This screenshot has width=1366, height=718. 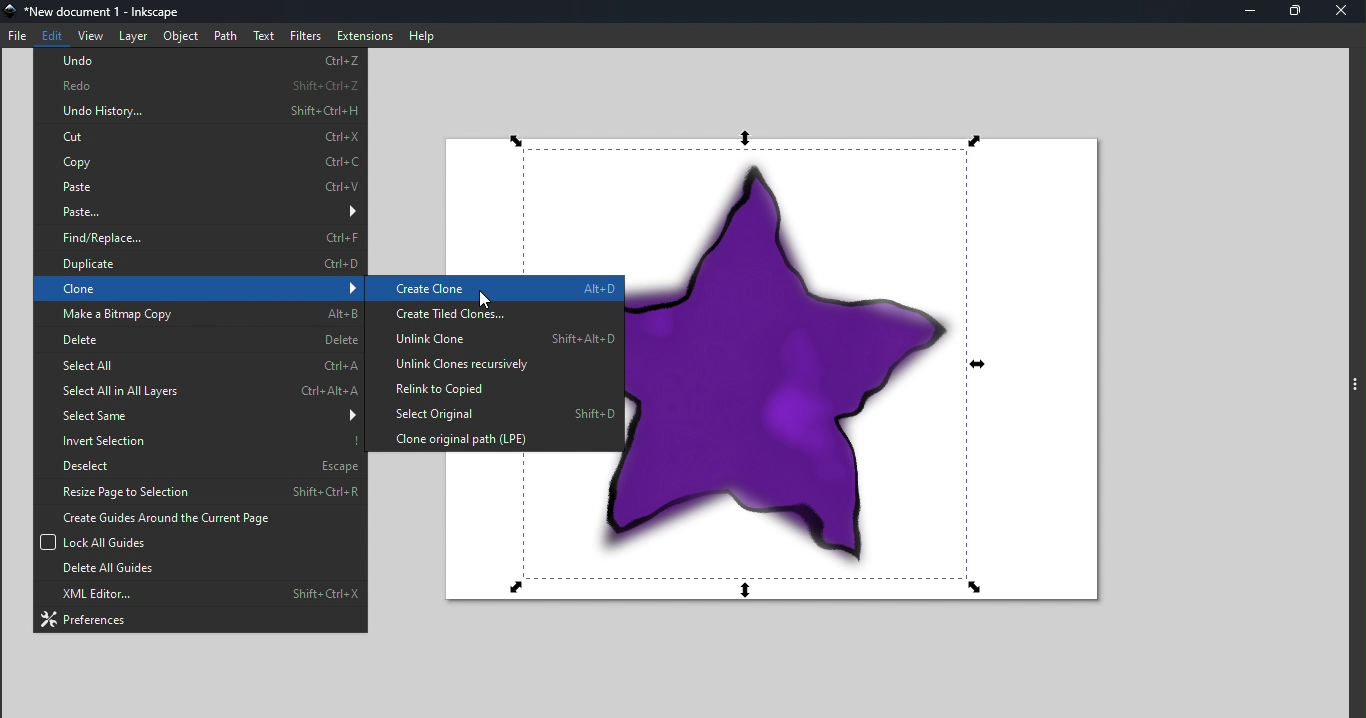 What do you see at coordinates (199, 491) in the screenshot?
I see `Resize page to selection` at bounding box center [199, 491].